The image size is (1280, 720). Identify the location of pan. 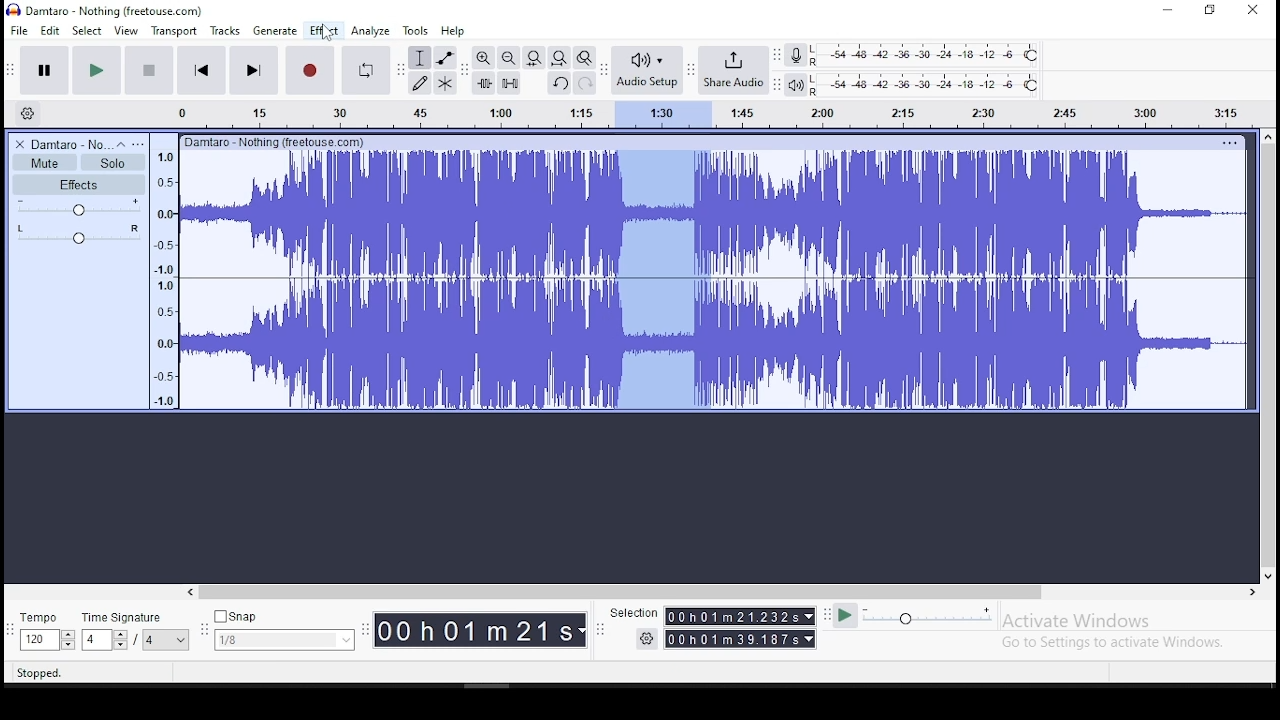
(79, 234).